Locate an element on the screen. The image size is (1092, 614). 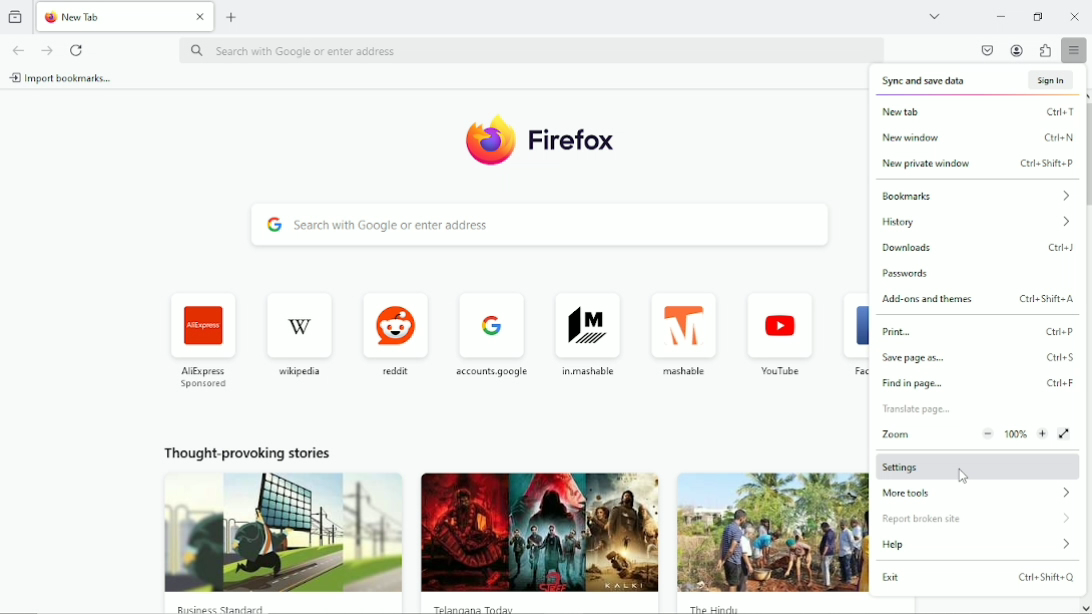
Zoom is located at coordinates (975, 434).